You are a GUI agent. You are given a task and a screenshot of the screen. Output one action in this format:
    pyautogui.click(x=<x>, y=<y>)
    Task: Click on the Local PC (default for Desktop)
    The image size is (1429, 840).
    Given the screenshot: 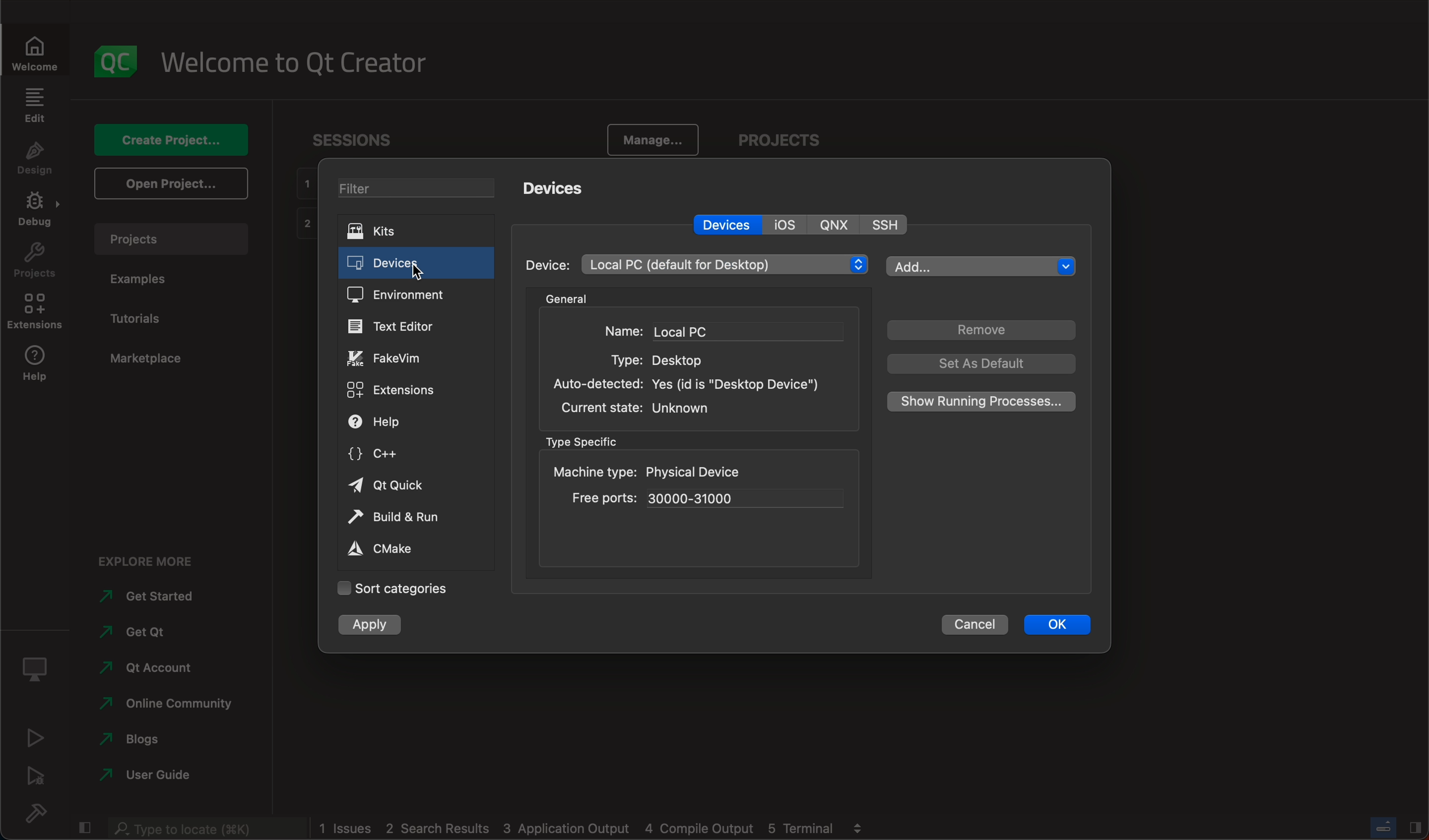 What is the action you would take?
    pyautogui.click(x=724, y=265)
    